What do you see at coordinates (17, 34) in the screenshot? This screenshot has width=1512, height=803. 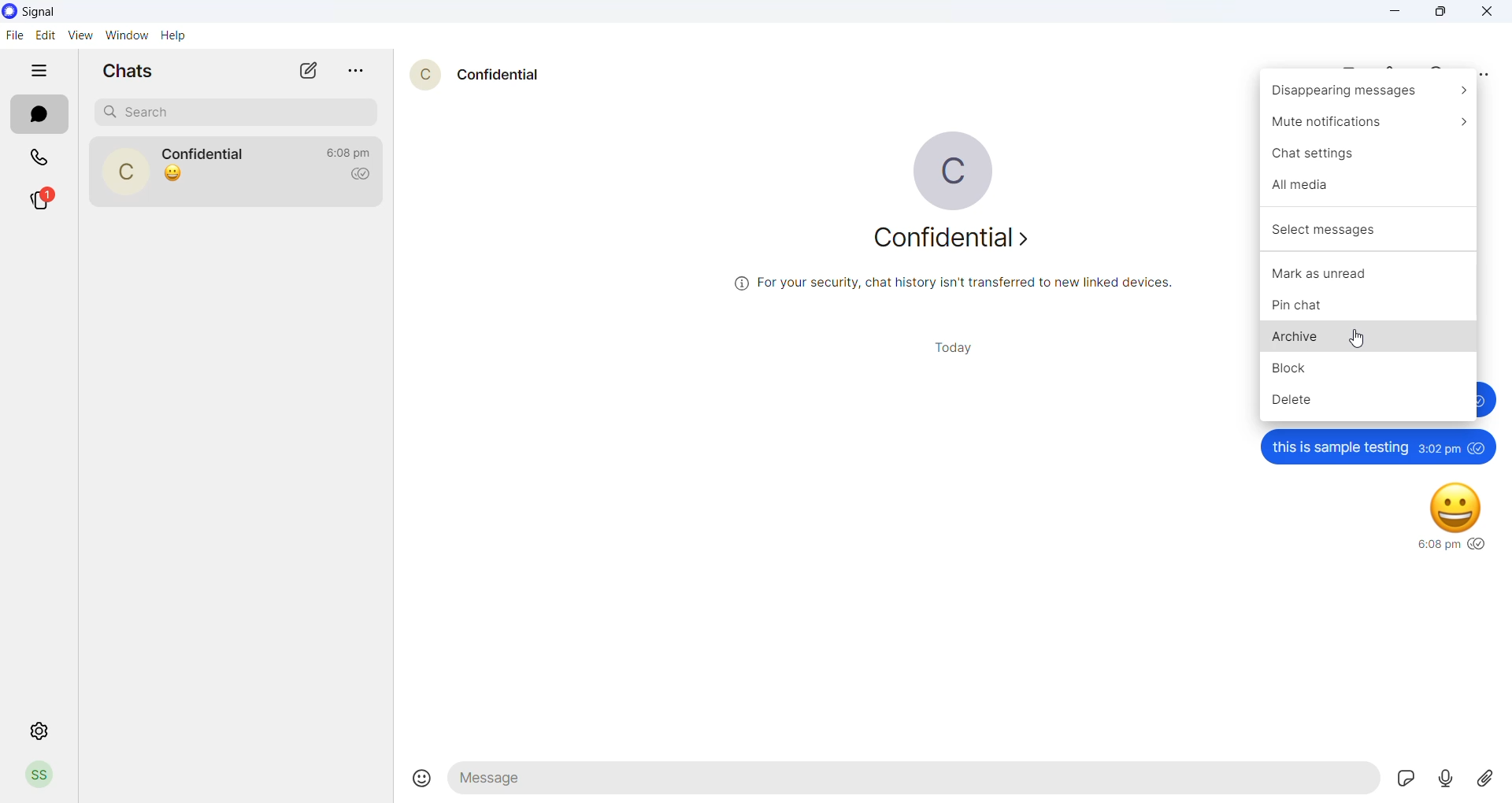 I see `file` at bounding box center [17, 34].